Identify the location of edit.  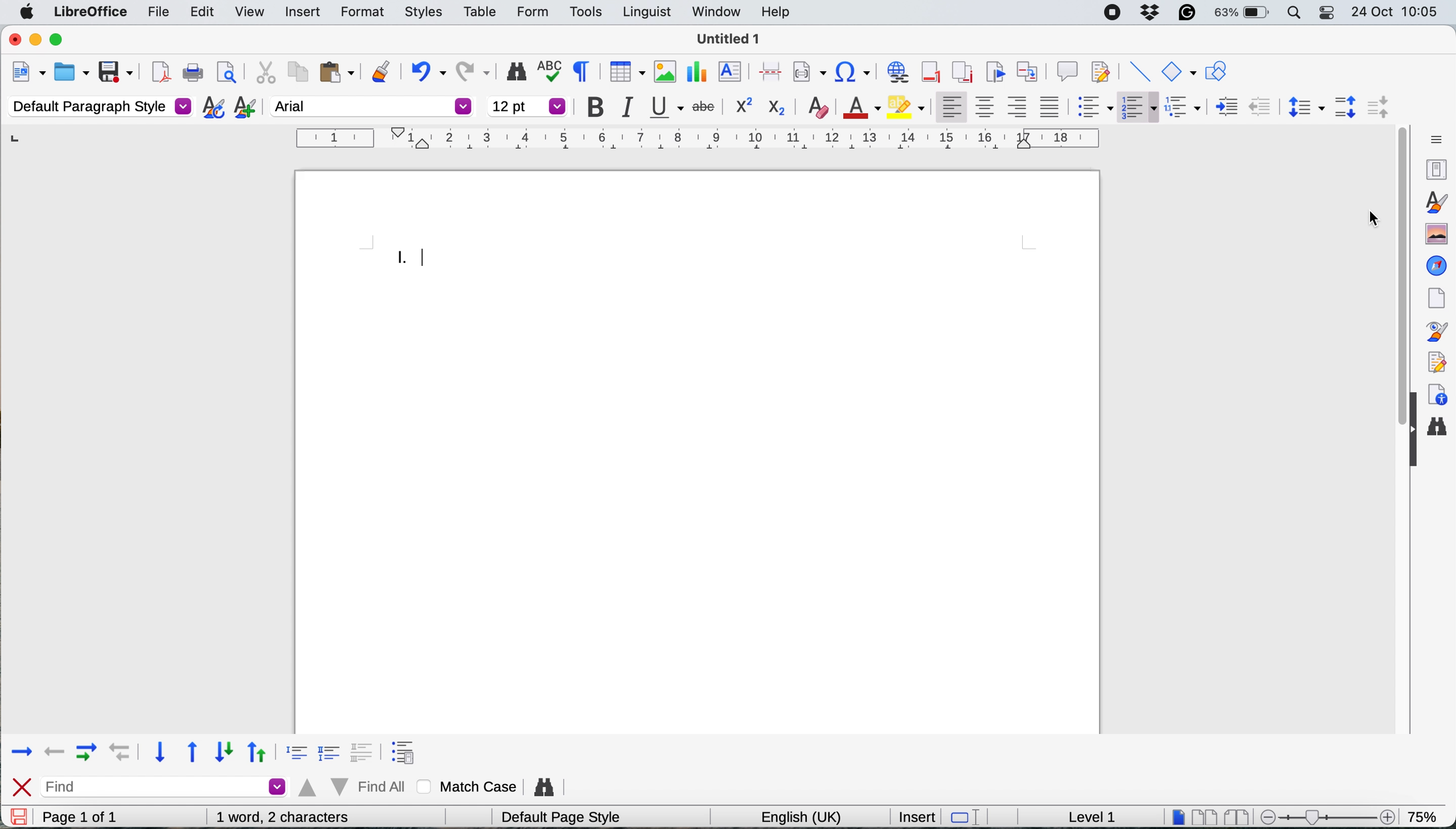
(204, 12).